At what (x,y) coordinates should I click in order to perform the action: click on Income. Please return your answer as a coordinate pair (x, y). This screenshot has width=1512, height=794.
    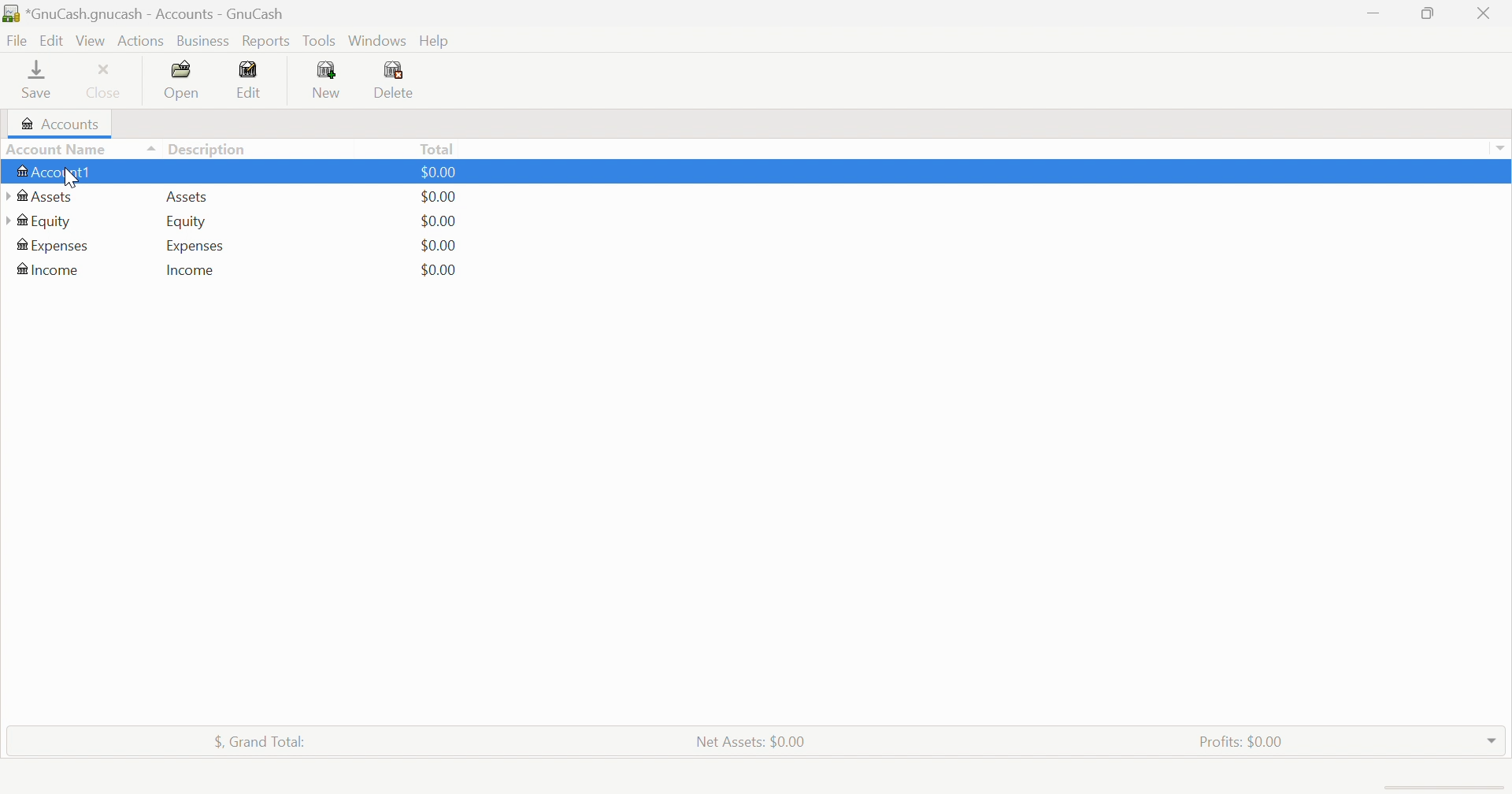
    Looking at the image, I should click on (191, 273).